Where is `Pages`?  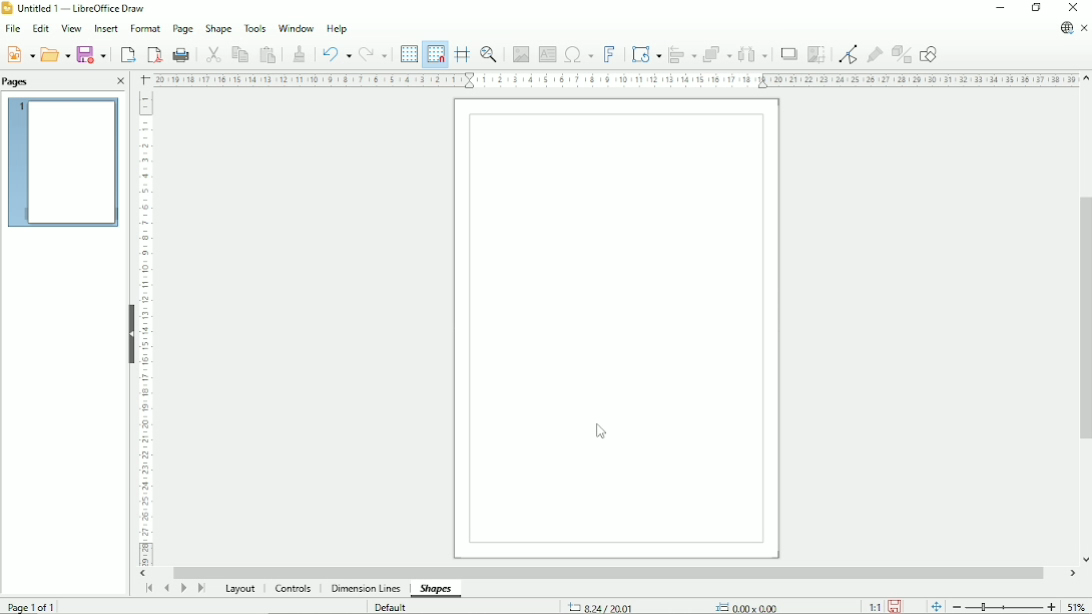
Pages is located at coordinates (19, 82).